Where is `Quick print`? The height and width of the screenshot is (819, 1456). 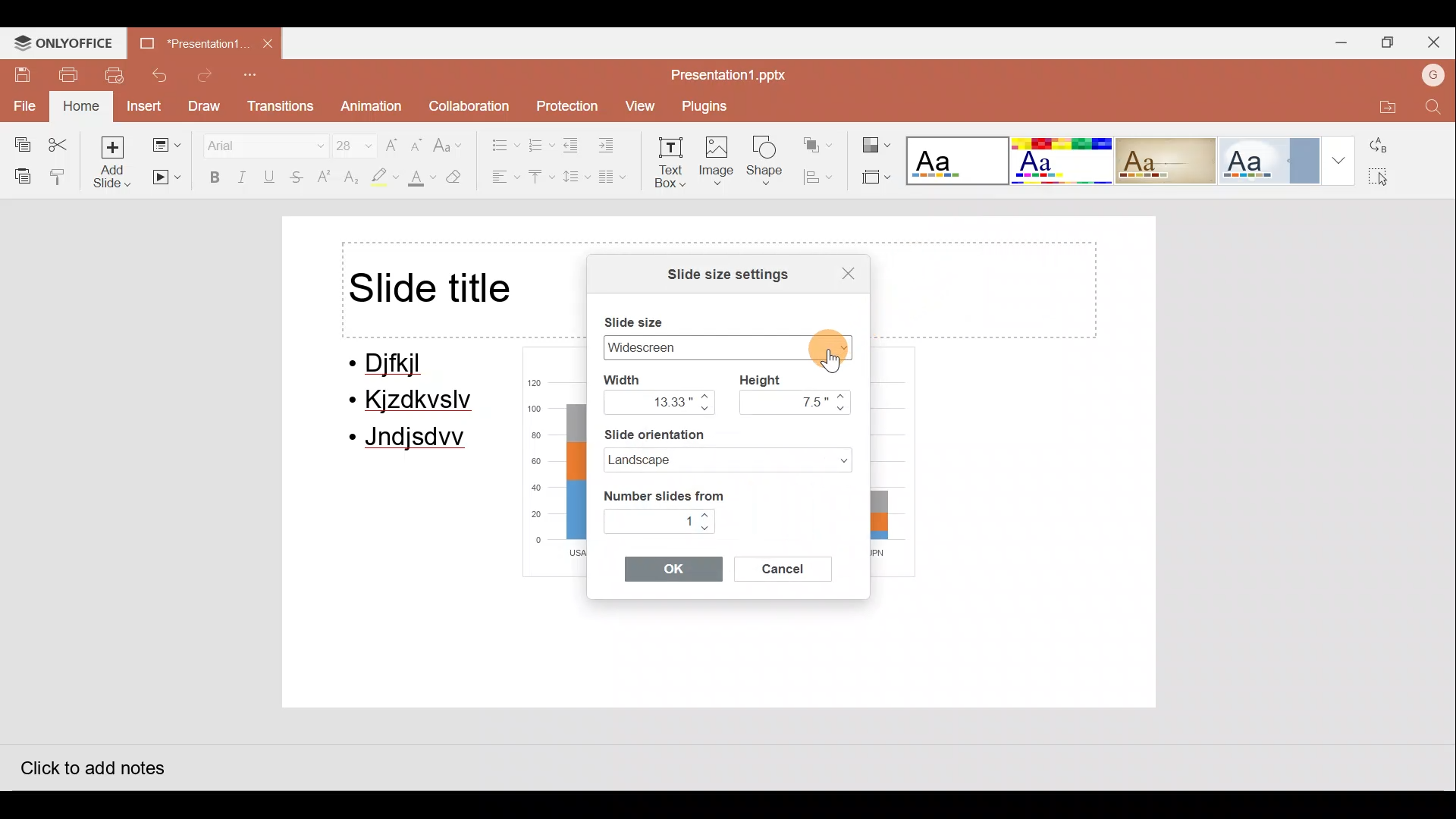 Quick print is located at coordinates (118, 76).